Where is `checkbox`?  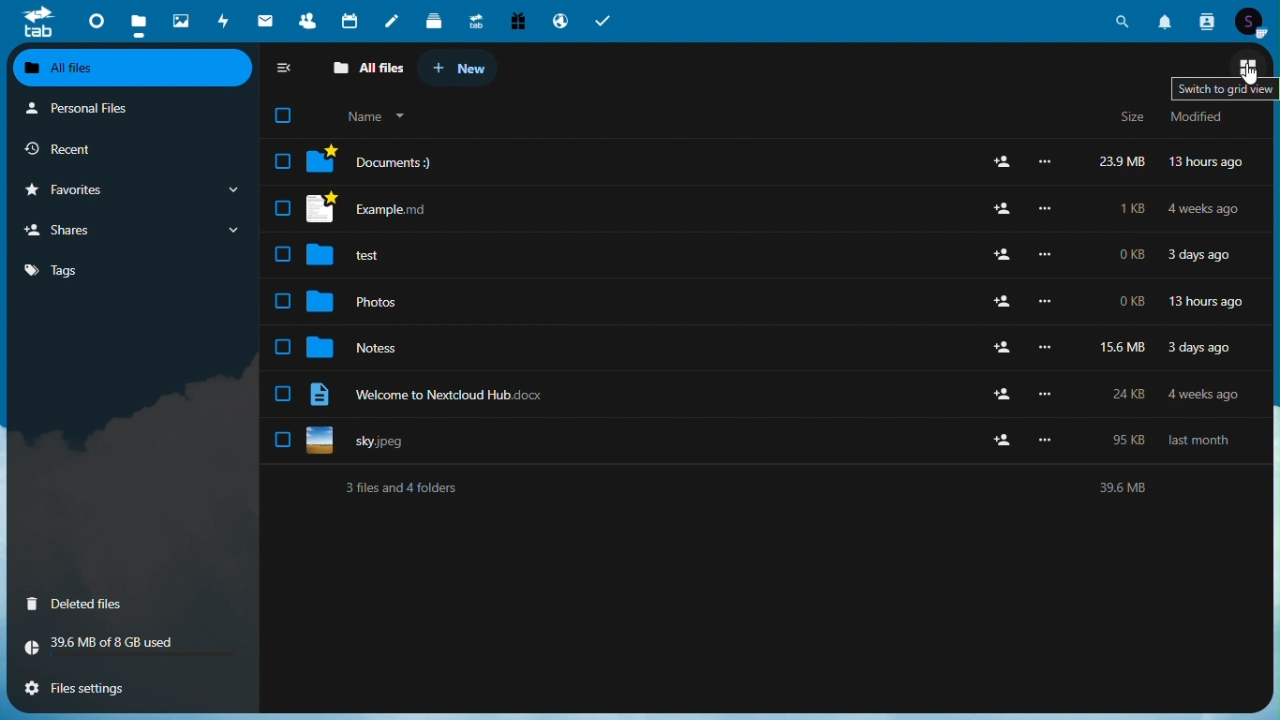
checkbox is located at coordinates (280, 253).